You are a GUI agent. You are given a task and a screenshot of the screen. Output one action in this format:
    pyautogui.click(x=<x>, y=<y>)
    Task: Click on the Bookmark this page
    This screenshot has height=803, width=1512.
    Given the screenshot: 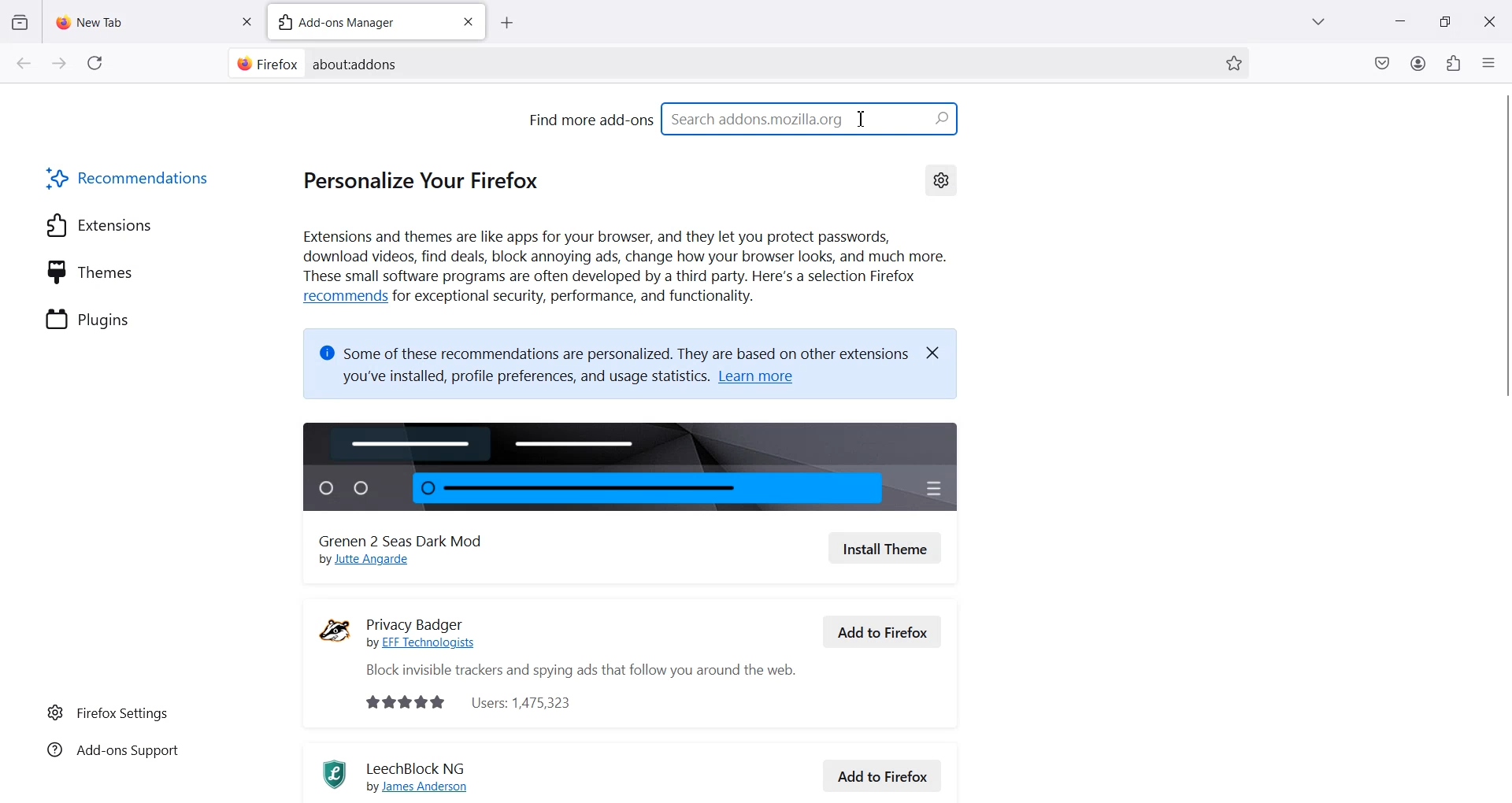 What is the action you would take?
    pyautogui.click(x=1233, y=63)
    